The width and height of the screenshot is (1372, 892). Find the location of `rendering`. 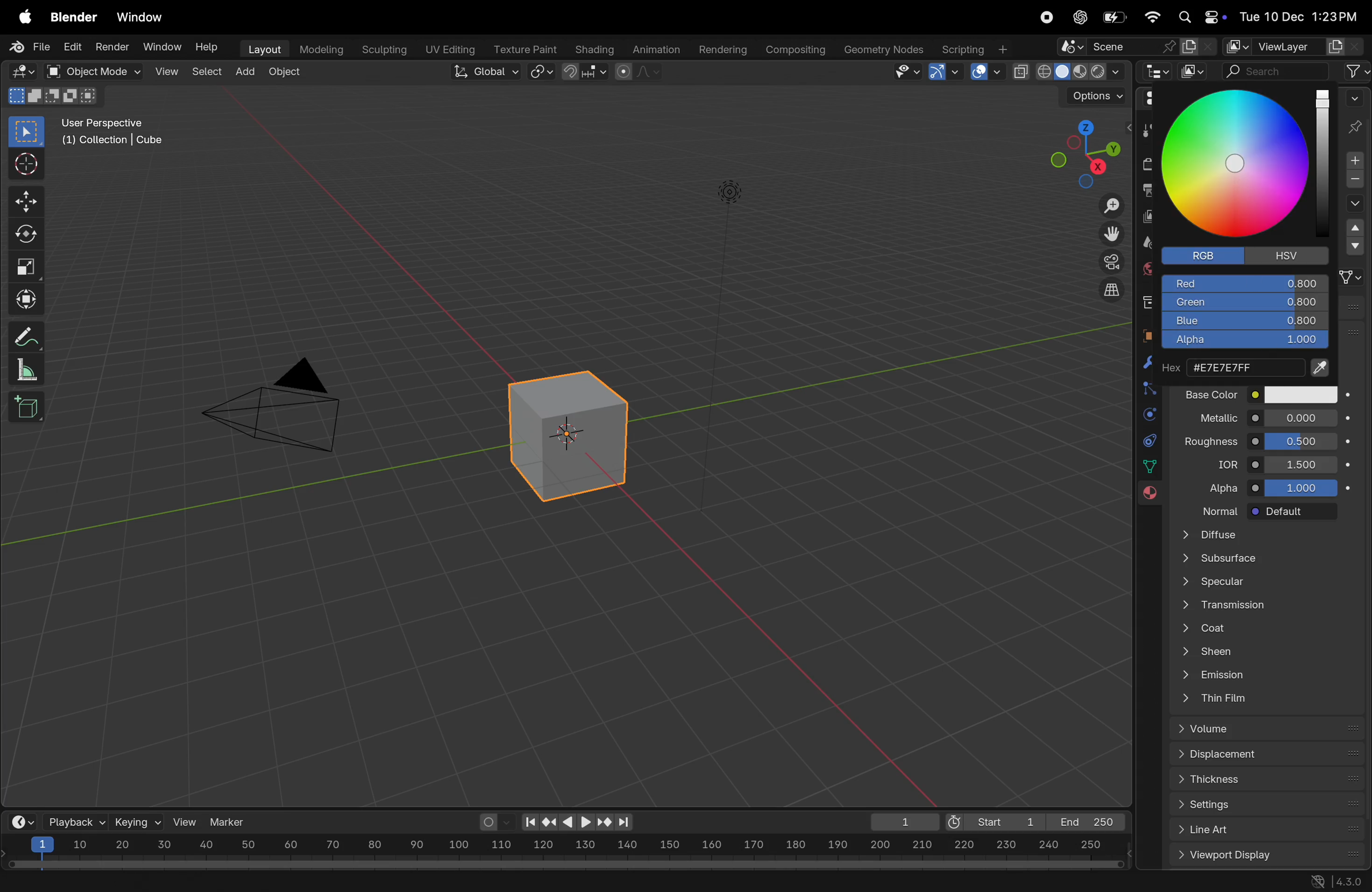

rendering is located at coordinates (719, 48).